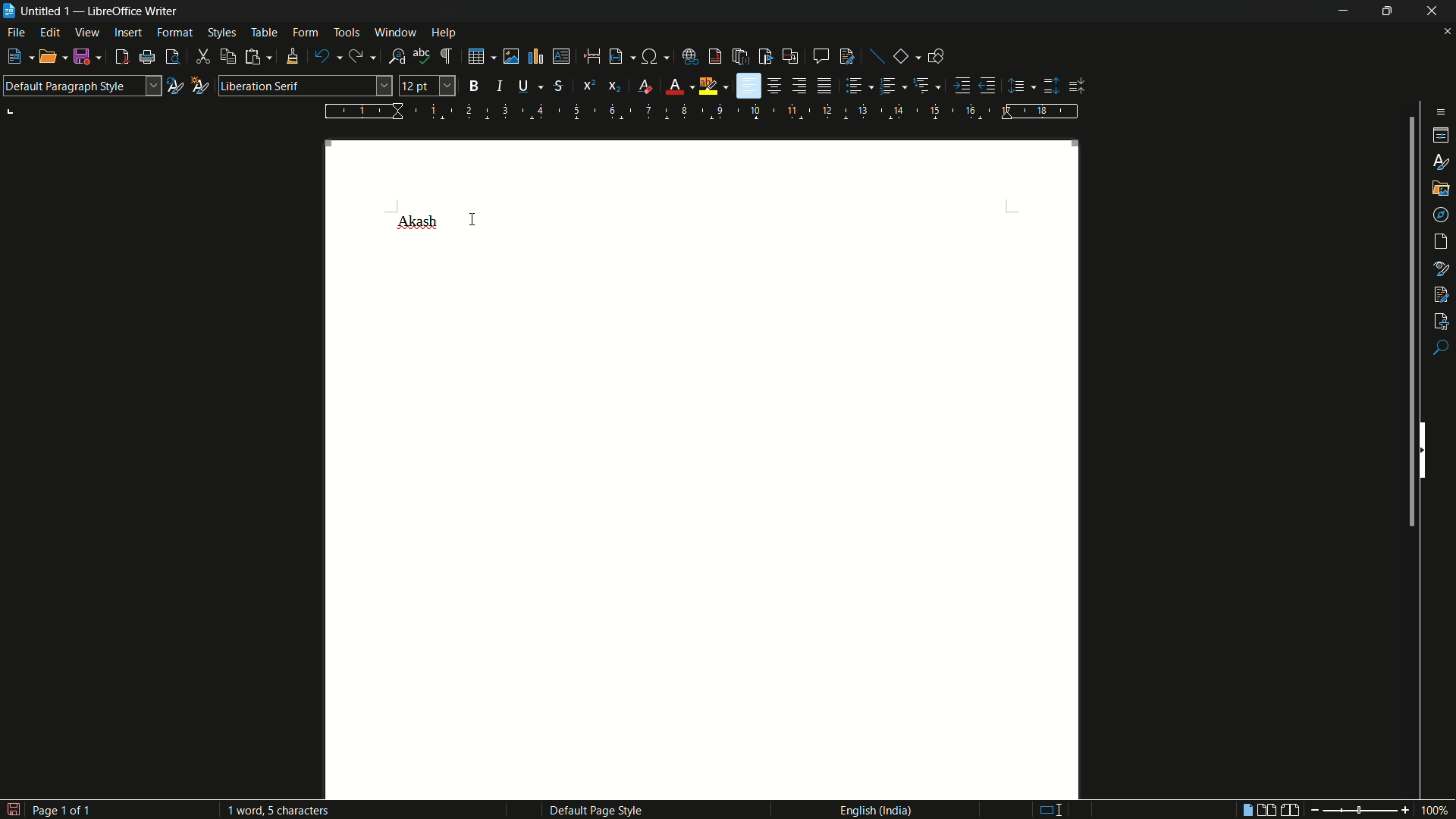 This screenshot has height=819, width=1456. What do you see at coordinates (1404, 810) in the screenshot?
I see `zoom in` at bounding box center [1404, 810].